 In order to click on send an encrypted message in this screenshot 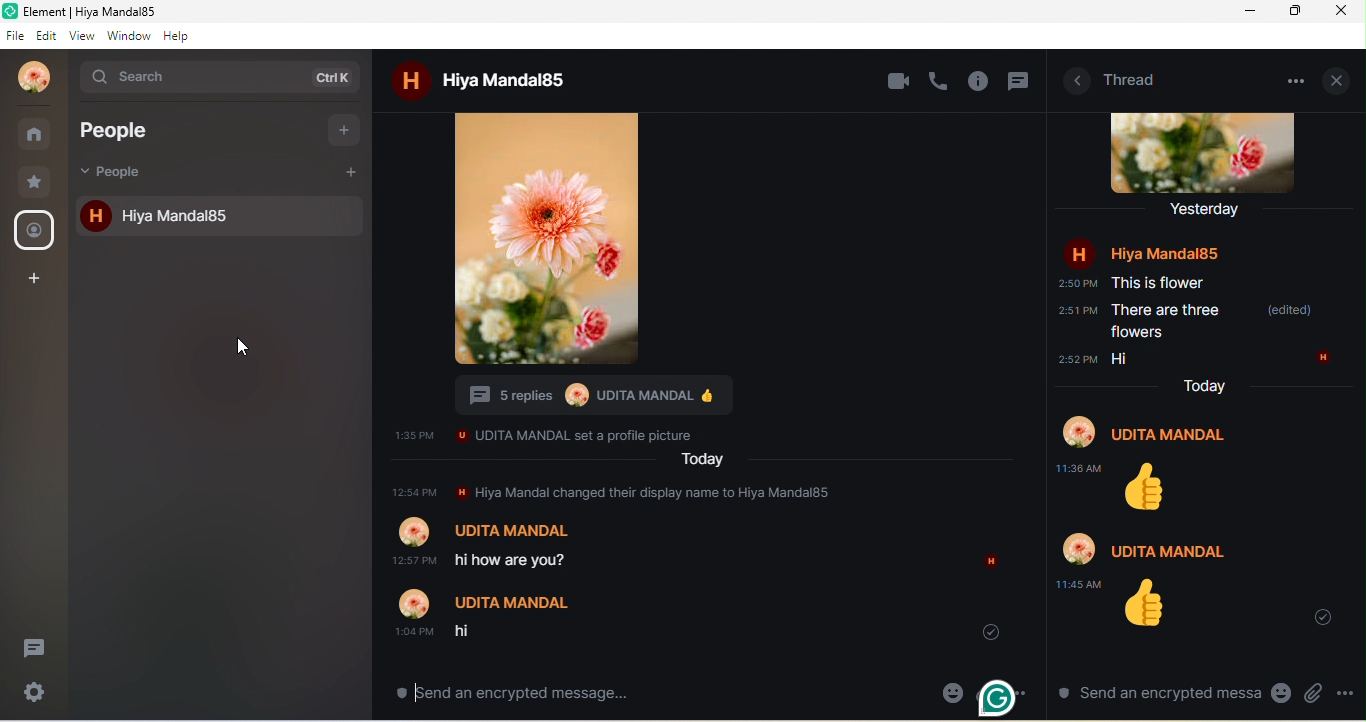, I will do `click(517, 692)`.